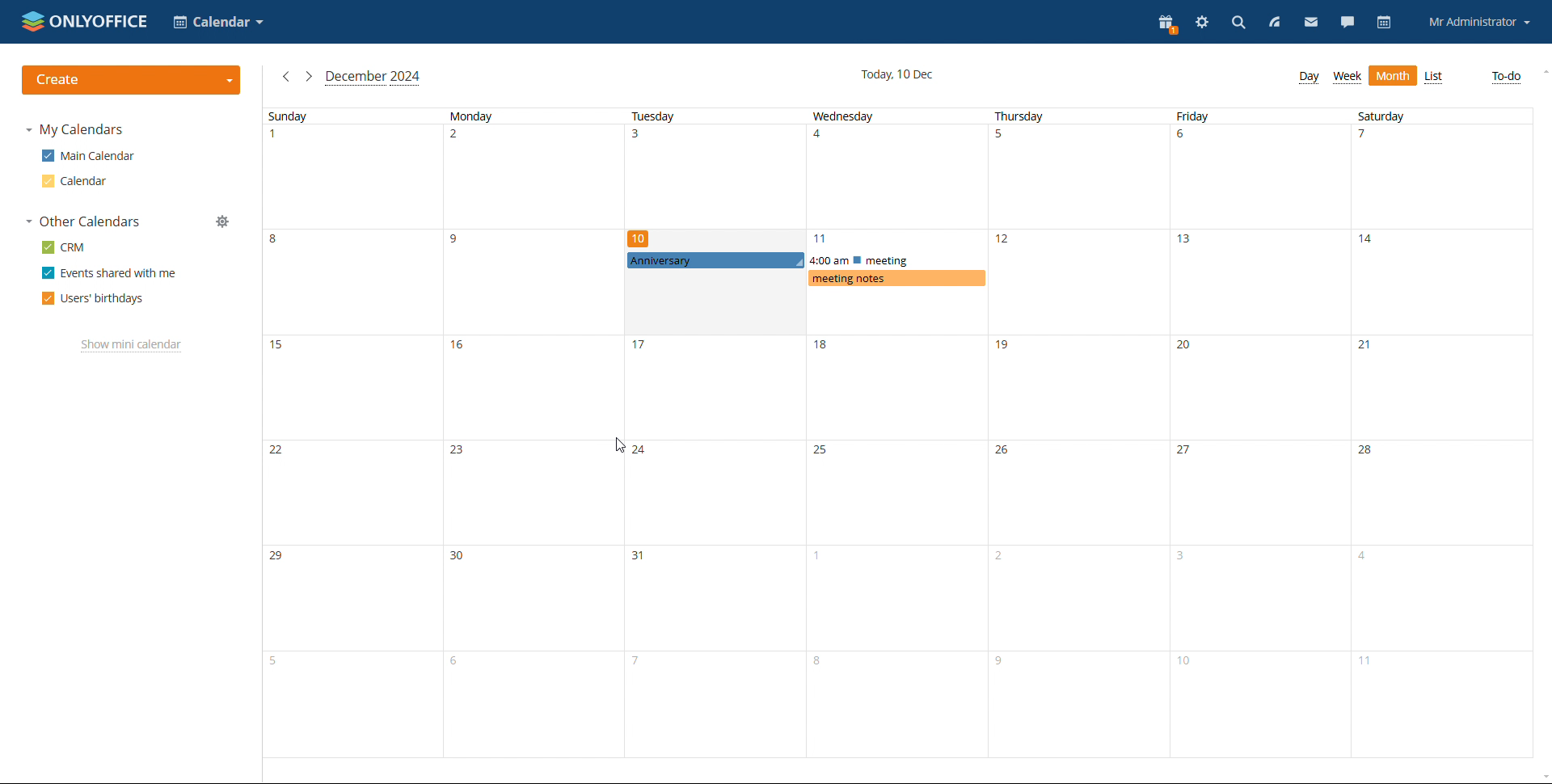 This screenshot has height=784, width=1552. What do you see at coordinates (614, 445) in the screenshot?
I see `cursor` at bounding box center [614, 445].